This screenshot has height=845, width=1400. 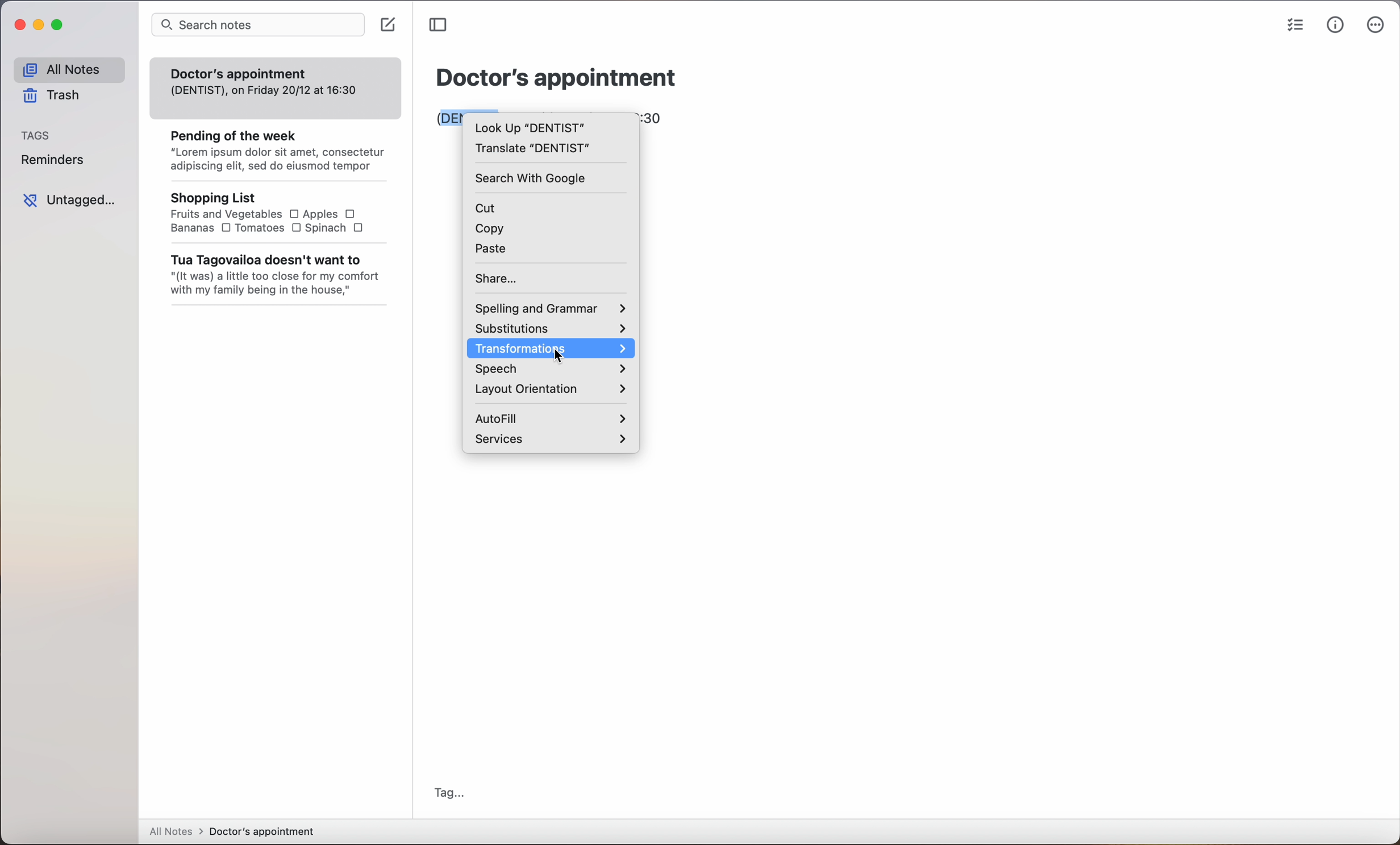 I want to click on checklist, so click(x=1297, y=23).